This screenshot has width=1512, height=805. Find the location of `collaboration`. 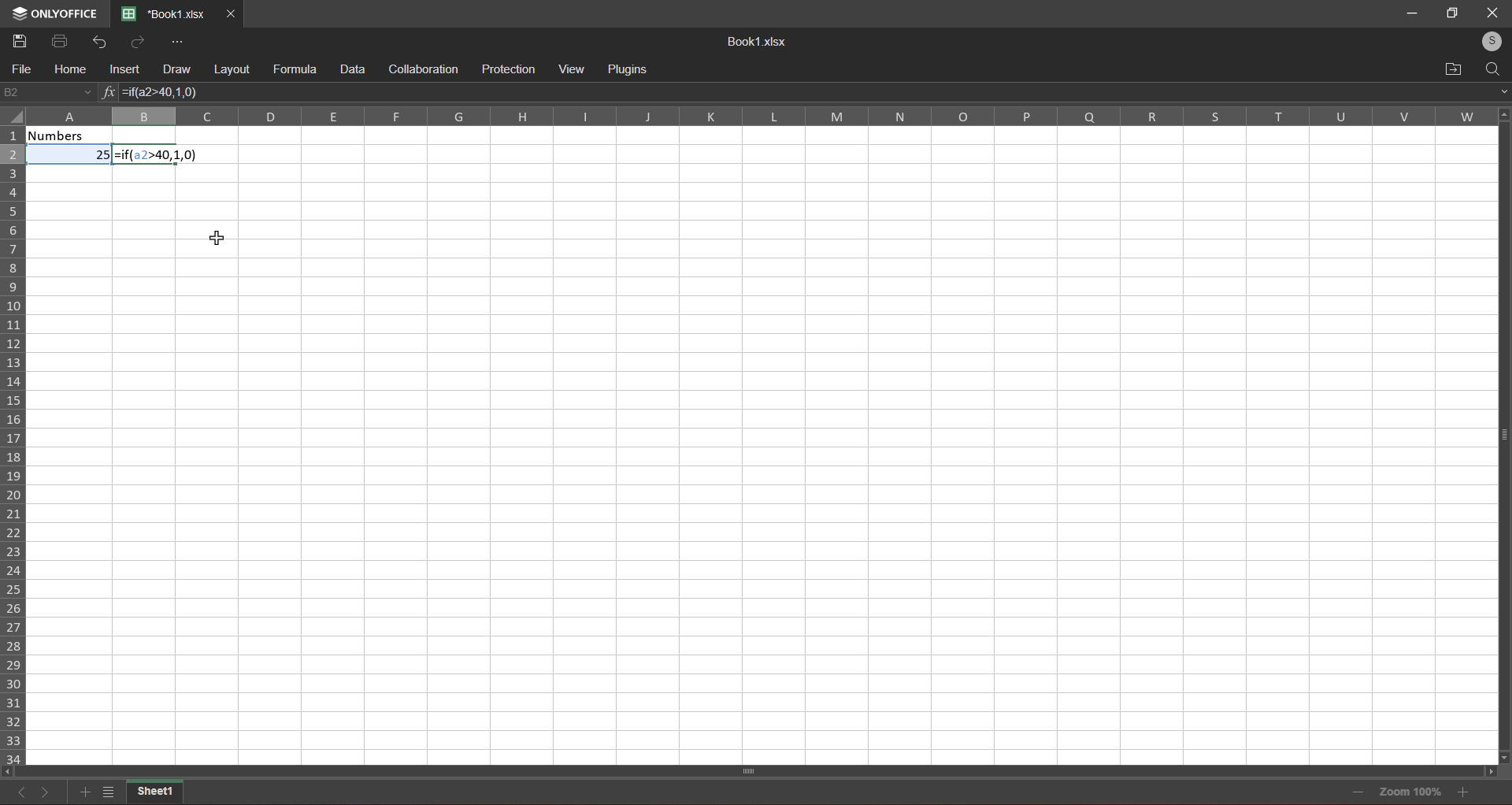

collaboration is located at coordinates (422, 68).